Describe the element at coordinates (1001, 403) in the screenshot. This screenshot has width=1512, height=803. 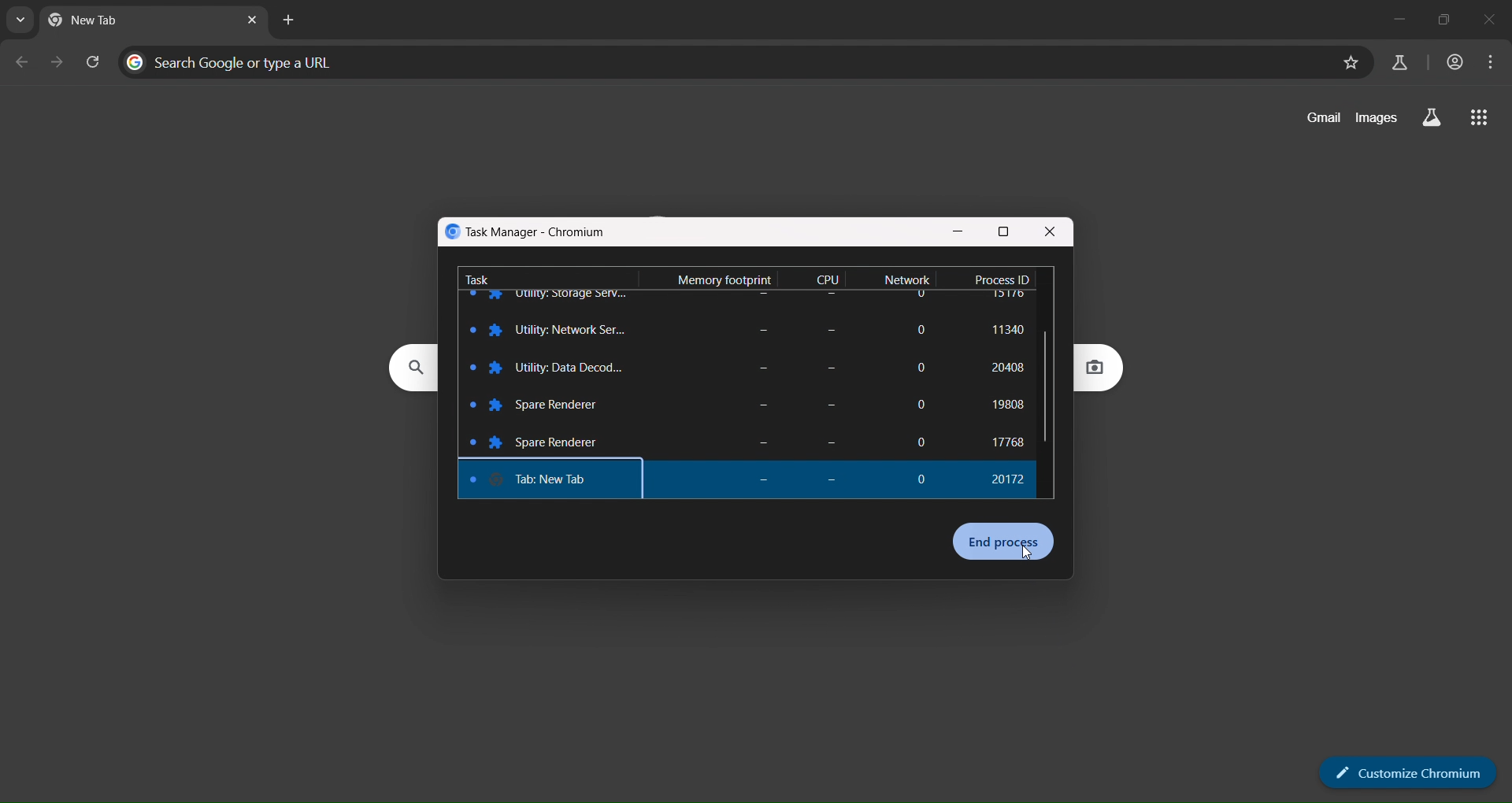
I see `20408` at that location.